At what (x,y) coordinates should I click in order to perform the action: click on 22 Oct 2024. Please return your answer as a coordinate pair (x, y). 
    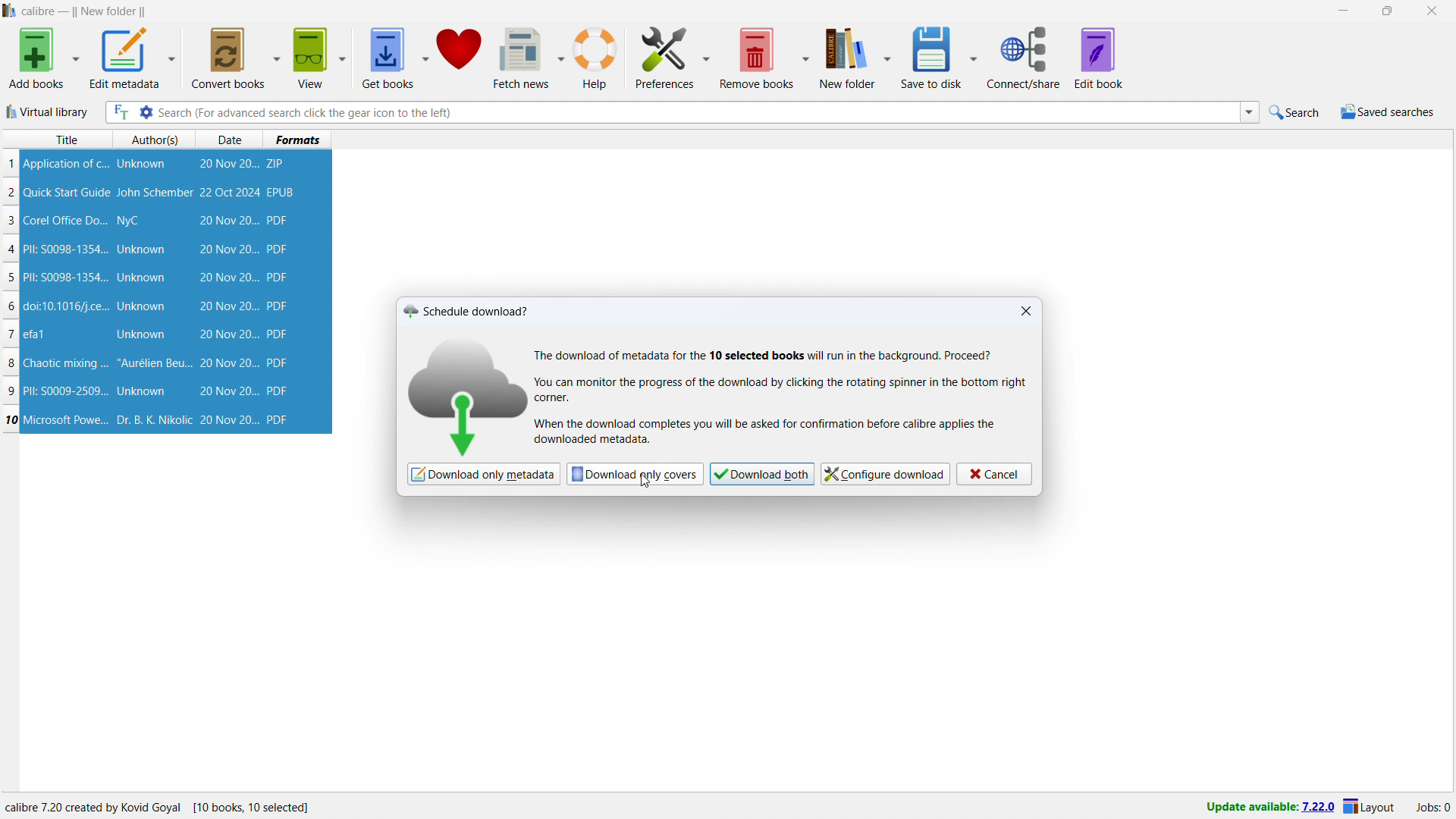
    Looking at the image, I should click on (229, 192).